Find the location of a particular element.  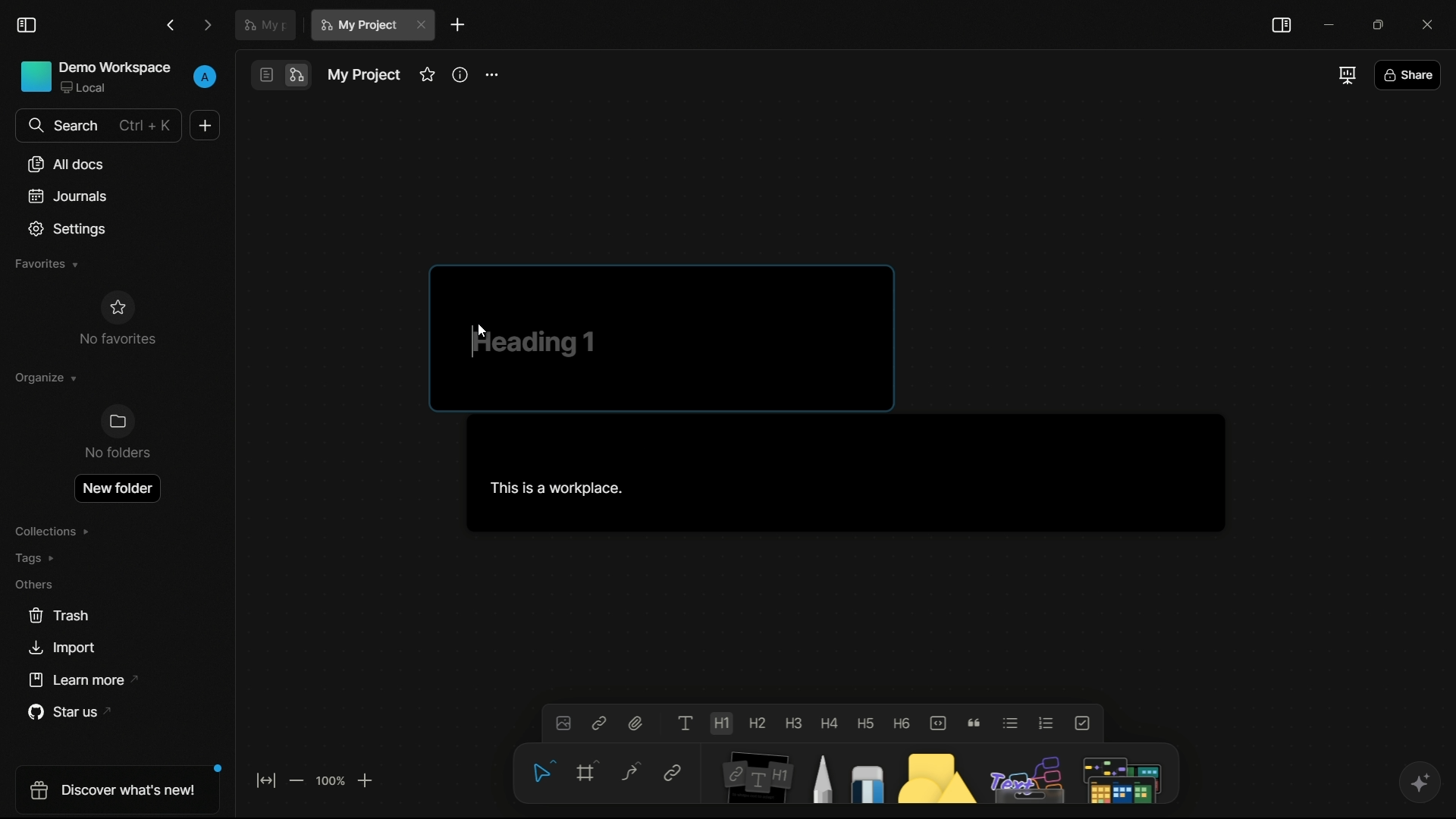

document name is located at coordinates (362, 76).